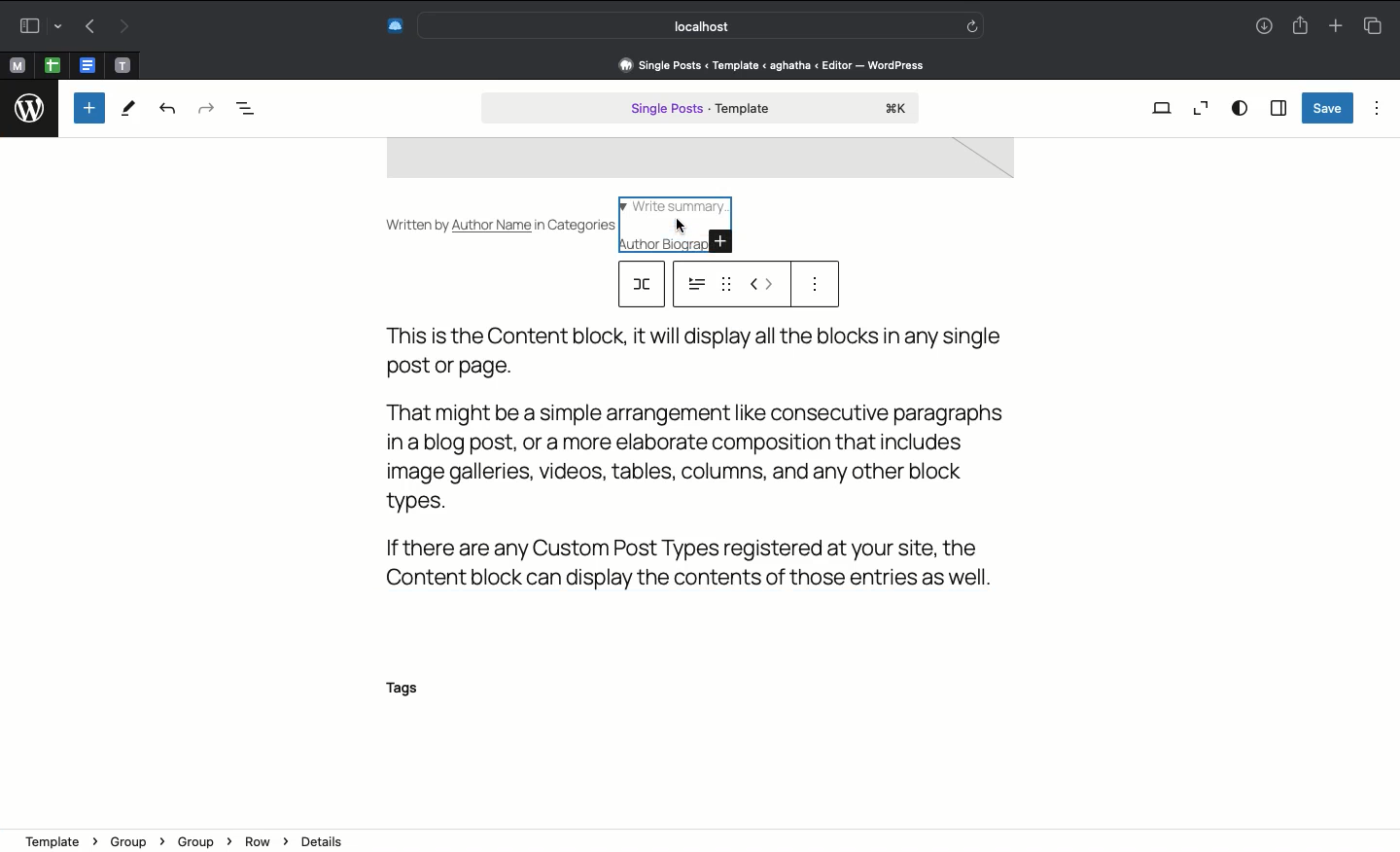  Describe the element at coordinates (167, 110) in the screenshot. I see `Undo` at that location.